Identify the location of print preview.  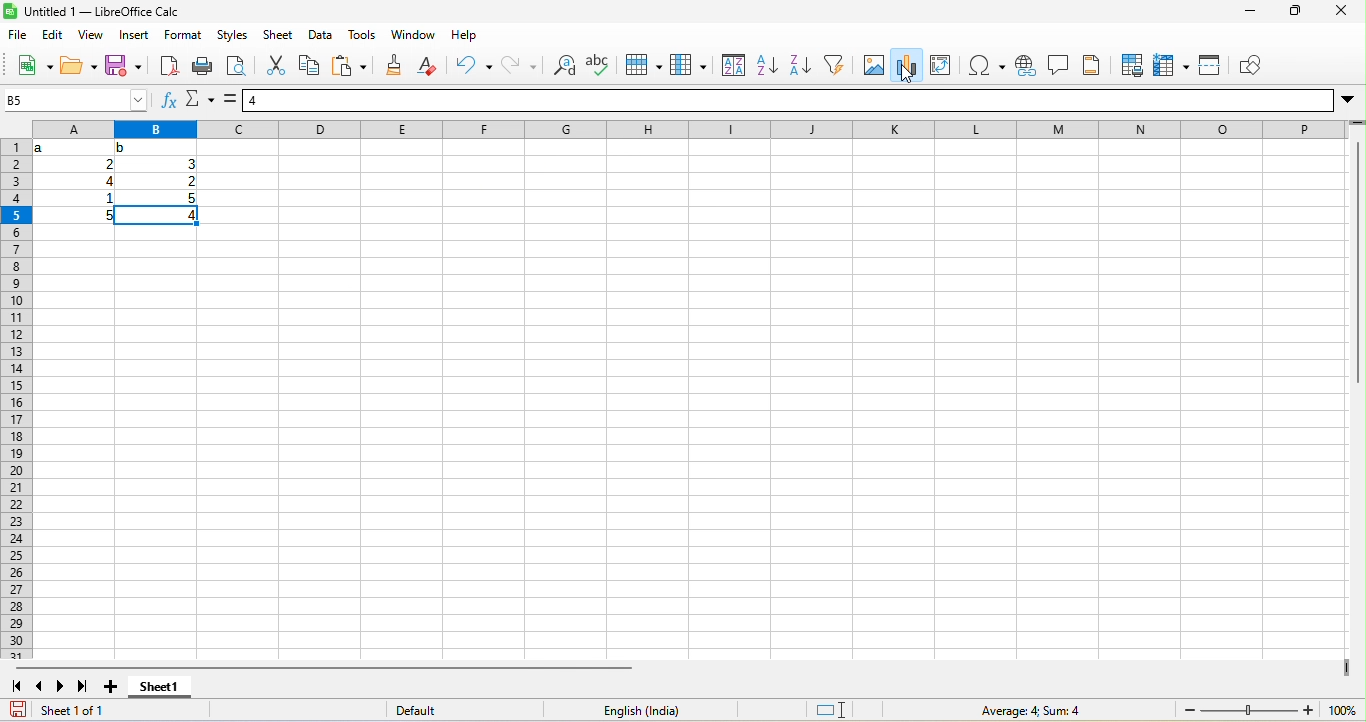
(237, 64).